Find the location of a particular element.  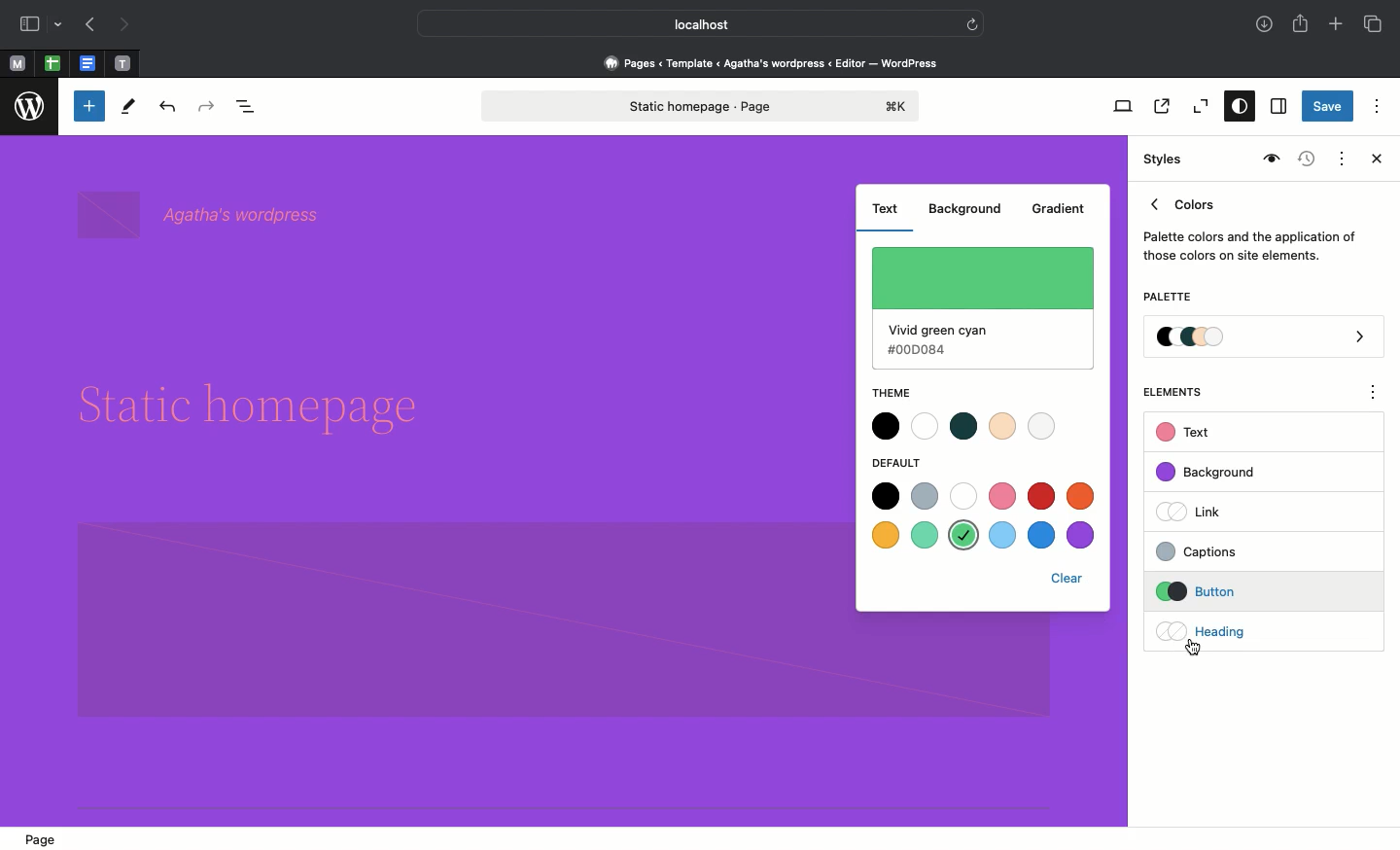

Headings is located at coordinates (1230, 629).